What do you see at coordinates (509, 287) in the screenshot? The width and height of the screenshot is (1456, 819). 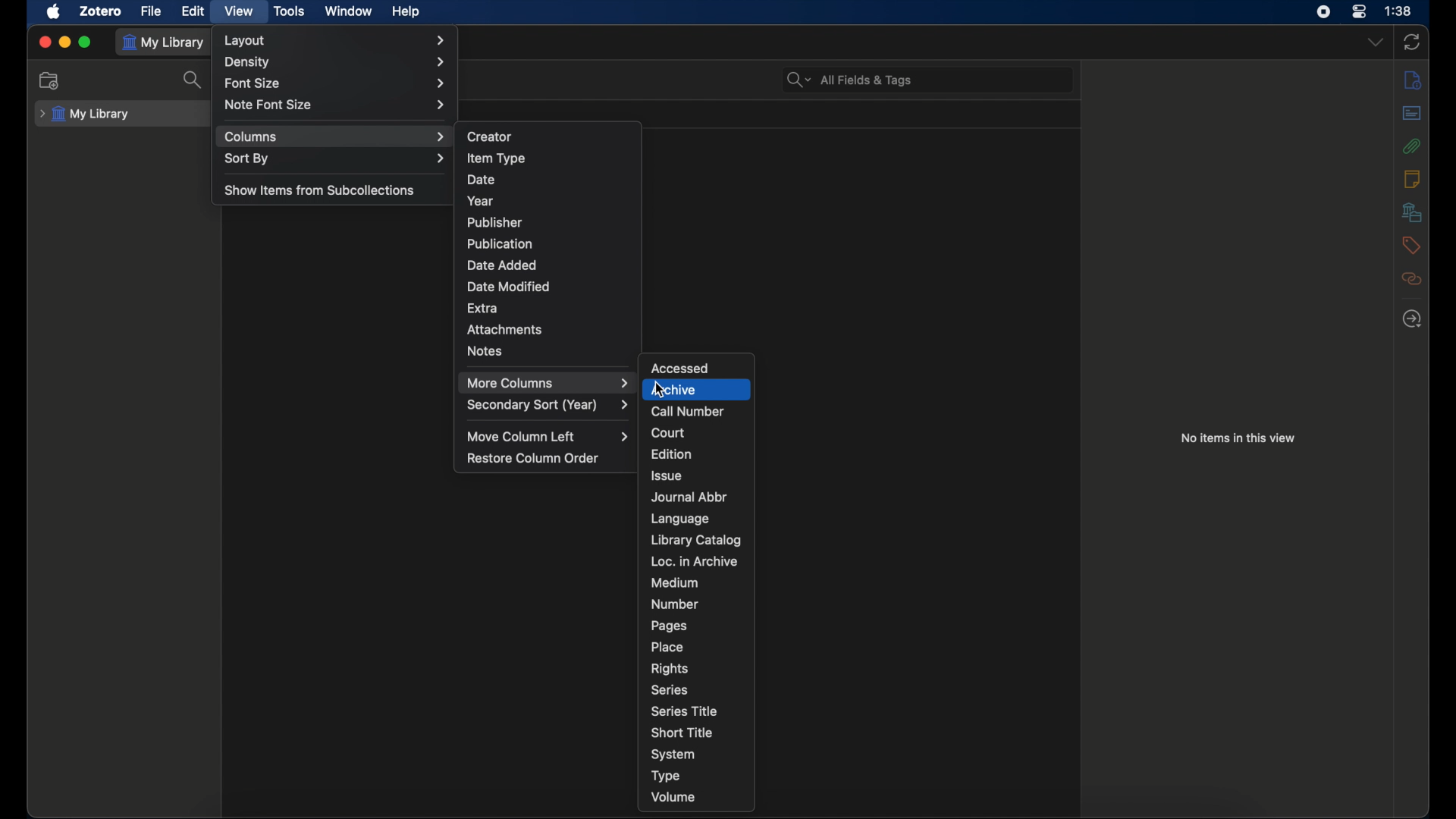 I see `date modified` at bounding box center [509, 287].